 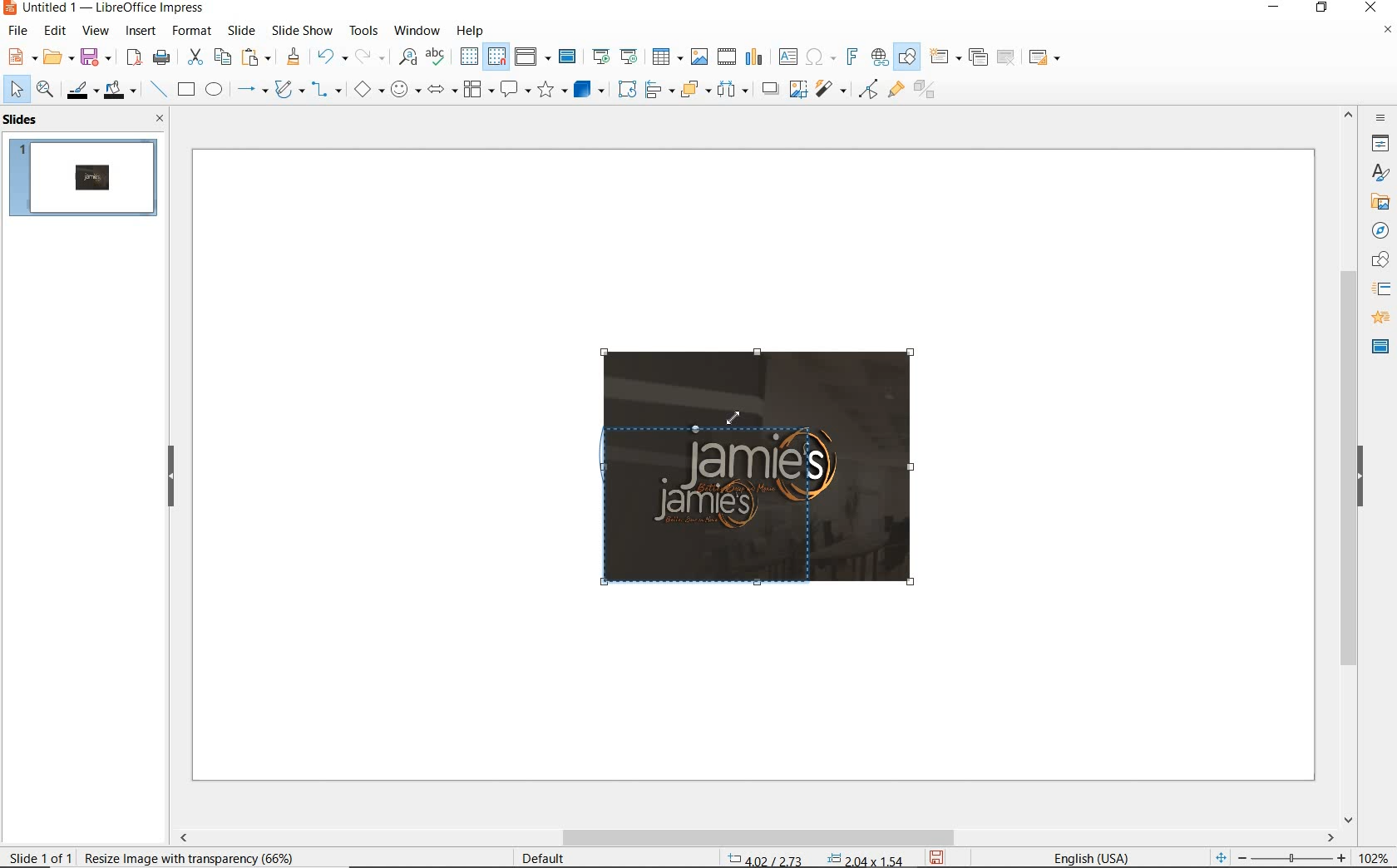 What do you see at coordinates (477, 91) in the screenshot?
I see `flowchart` at bounding box center [477, 91].